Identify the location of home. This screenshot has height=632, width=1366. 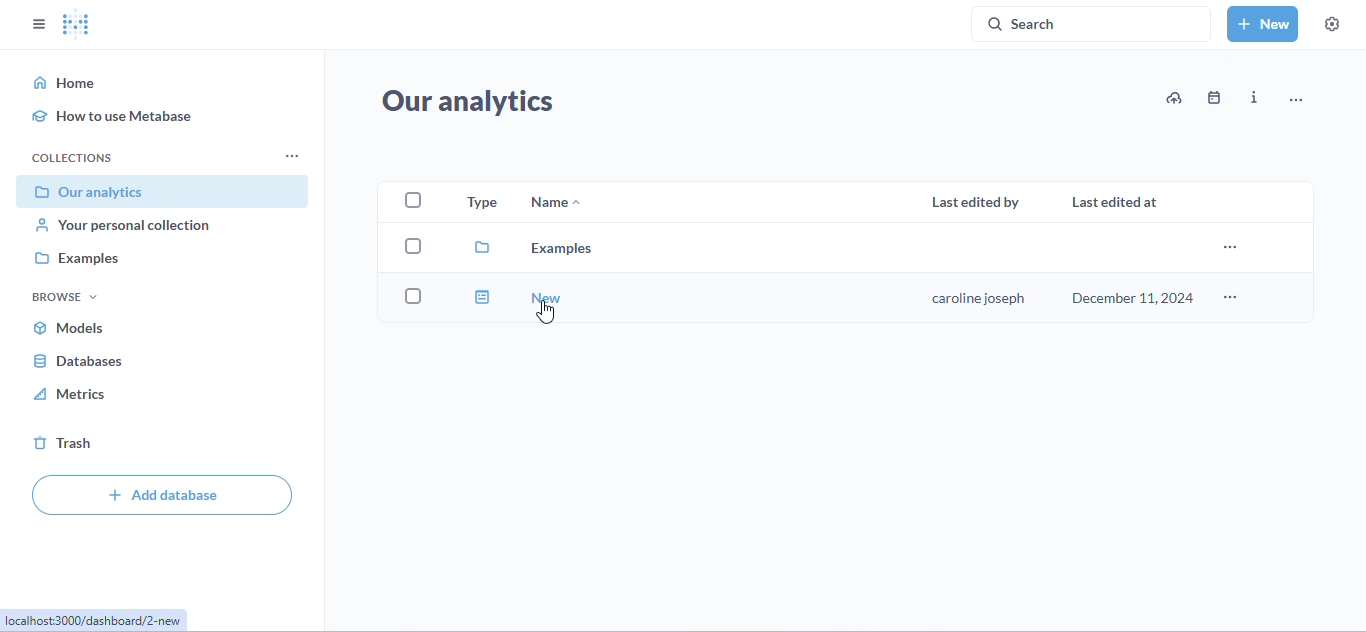
(64, 83).